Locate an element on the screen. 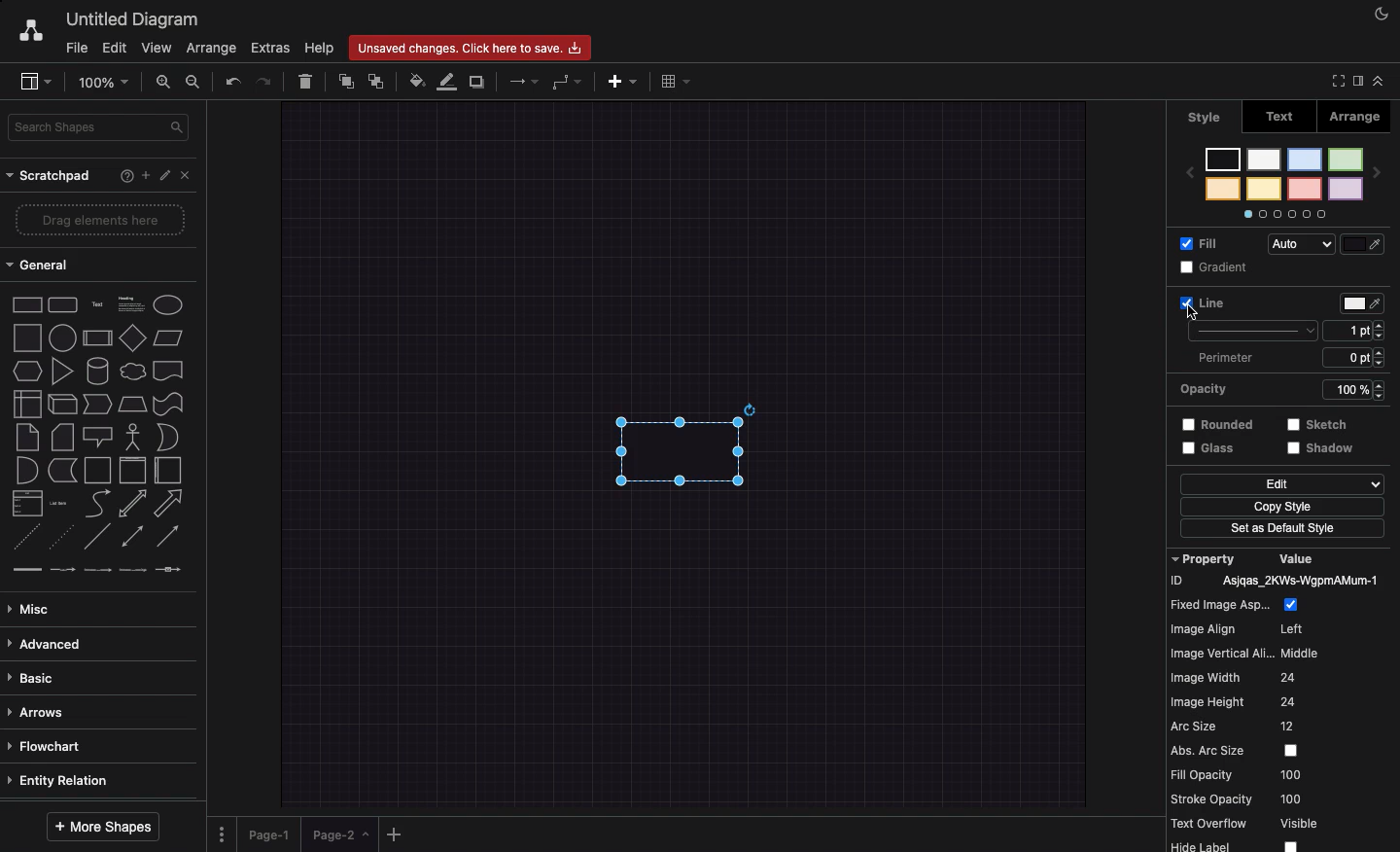 This screenshot has height=852, width=1400. callout is located at coordinates (96, 437).